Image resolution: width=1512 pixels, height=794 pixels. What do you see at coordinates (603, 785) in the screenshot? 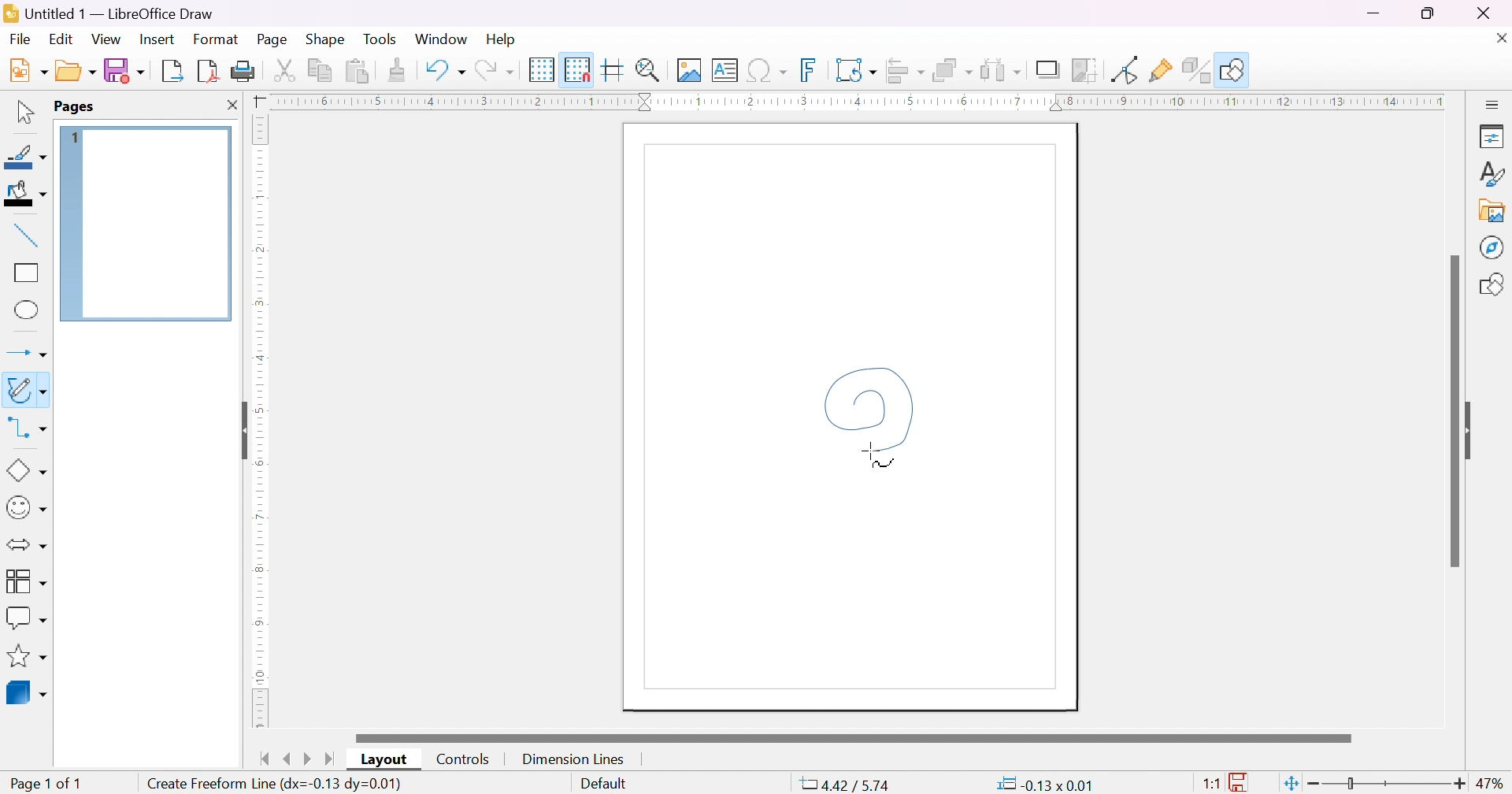
I see `slide master name. Right-click for list or click for dialog.` at bounding box center [603, 785].